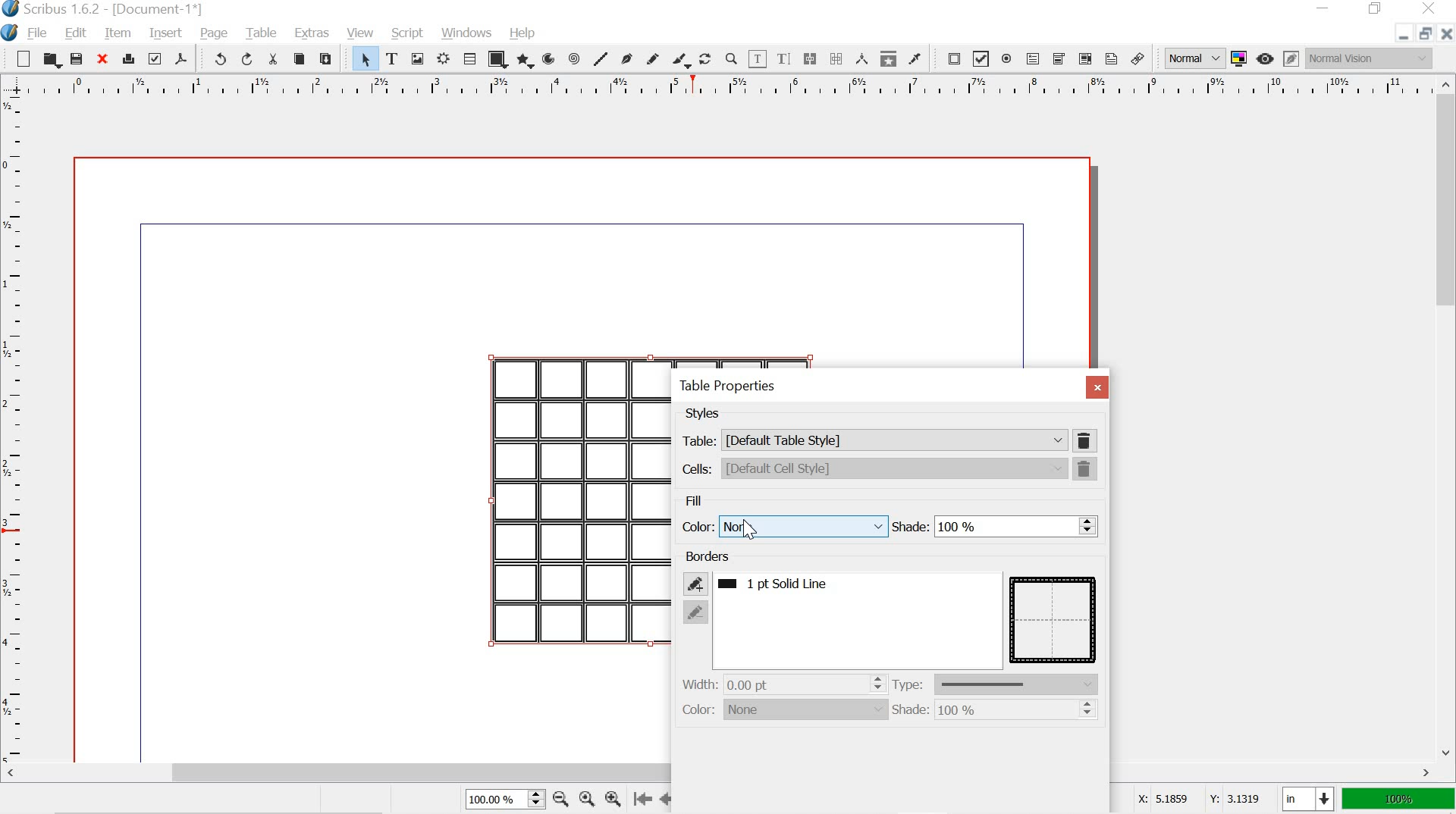  What do you see at coordinates (602, 56) in the screenshot?
I see `line` at bounding box center [602, 56].